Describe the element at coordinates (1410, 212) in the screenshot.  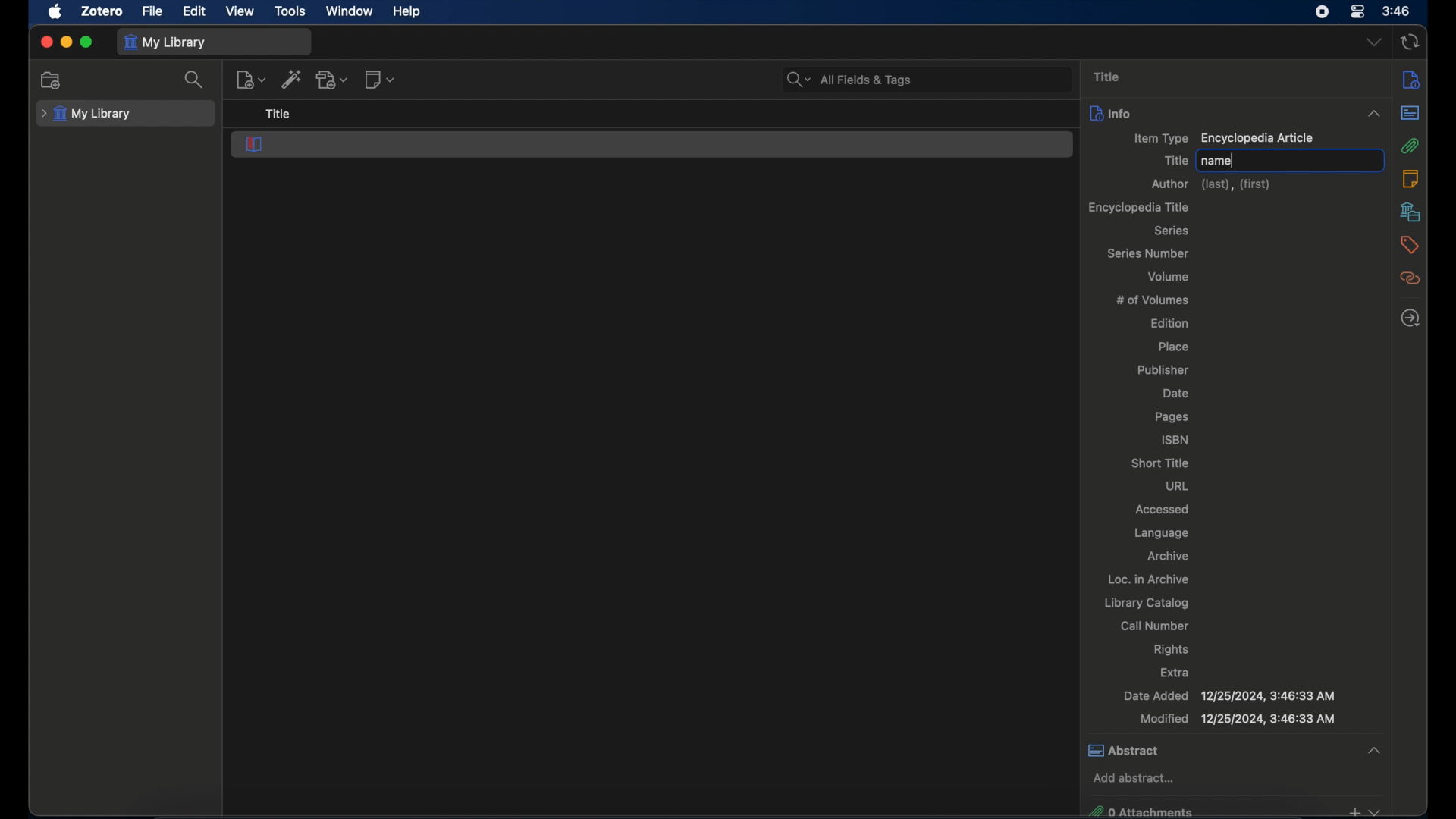
I see `libraries` at that location.